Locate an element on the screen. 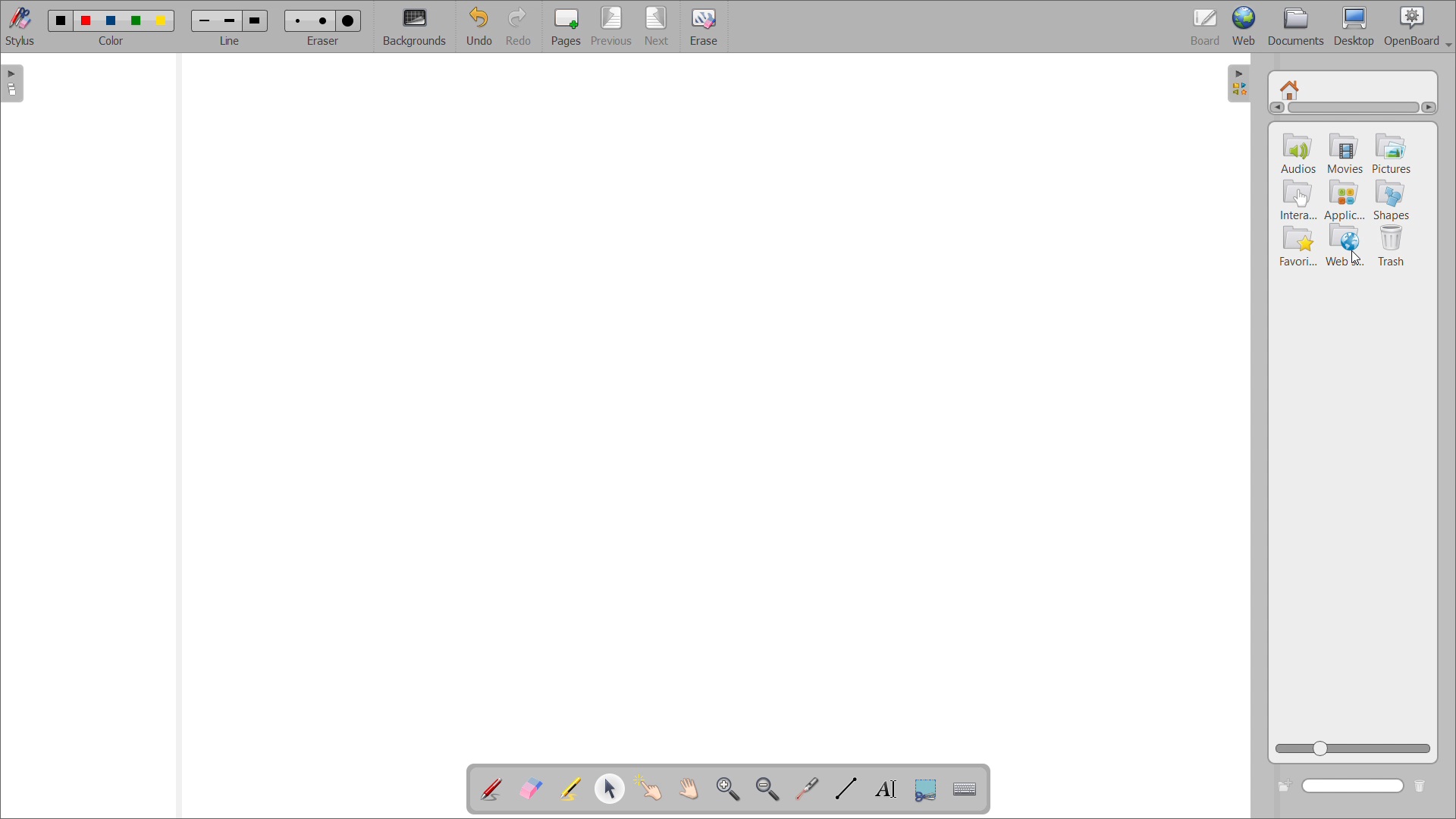 The image size is (1456, 819). redo is located at coordinates (521, 27).